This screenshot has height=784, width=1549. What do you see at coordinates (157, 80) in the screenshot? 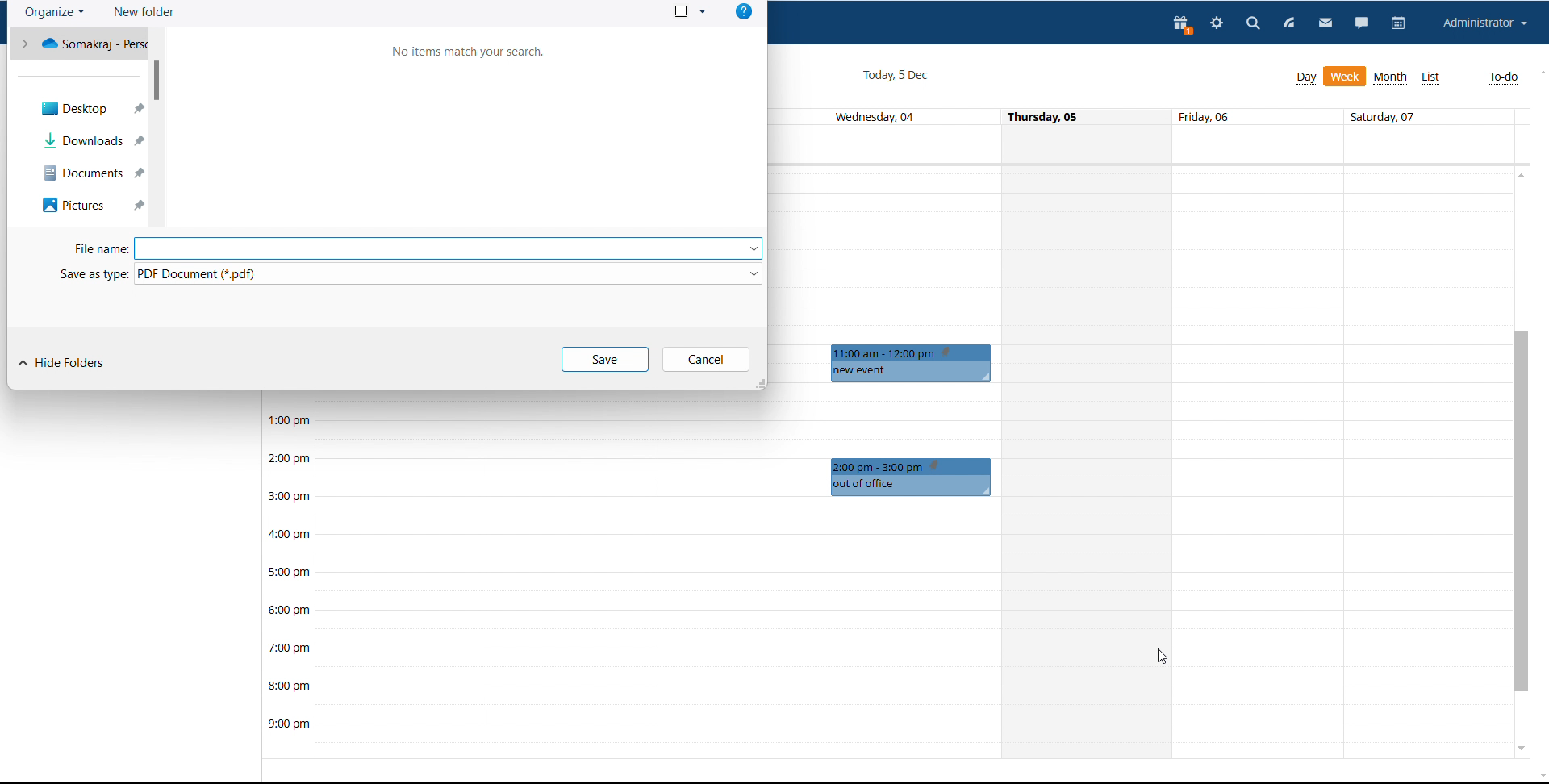
I see `scrollbar` at bounding box center [157, 80].